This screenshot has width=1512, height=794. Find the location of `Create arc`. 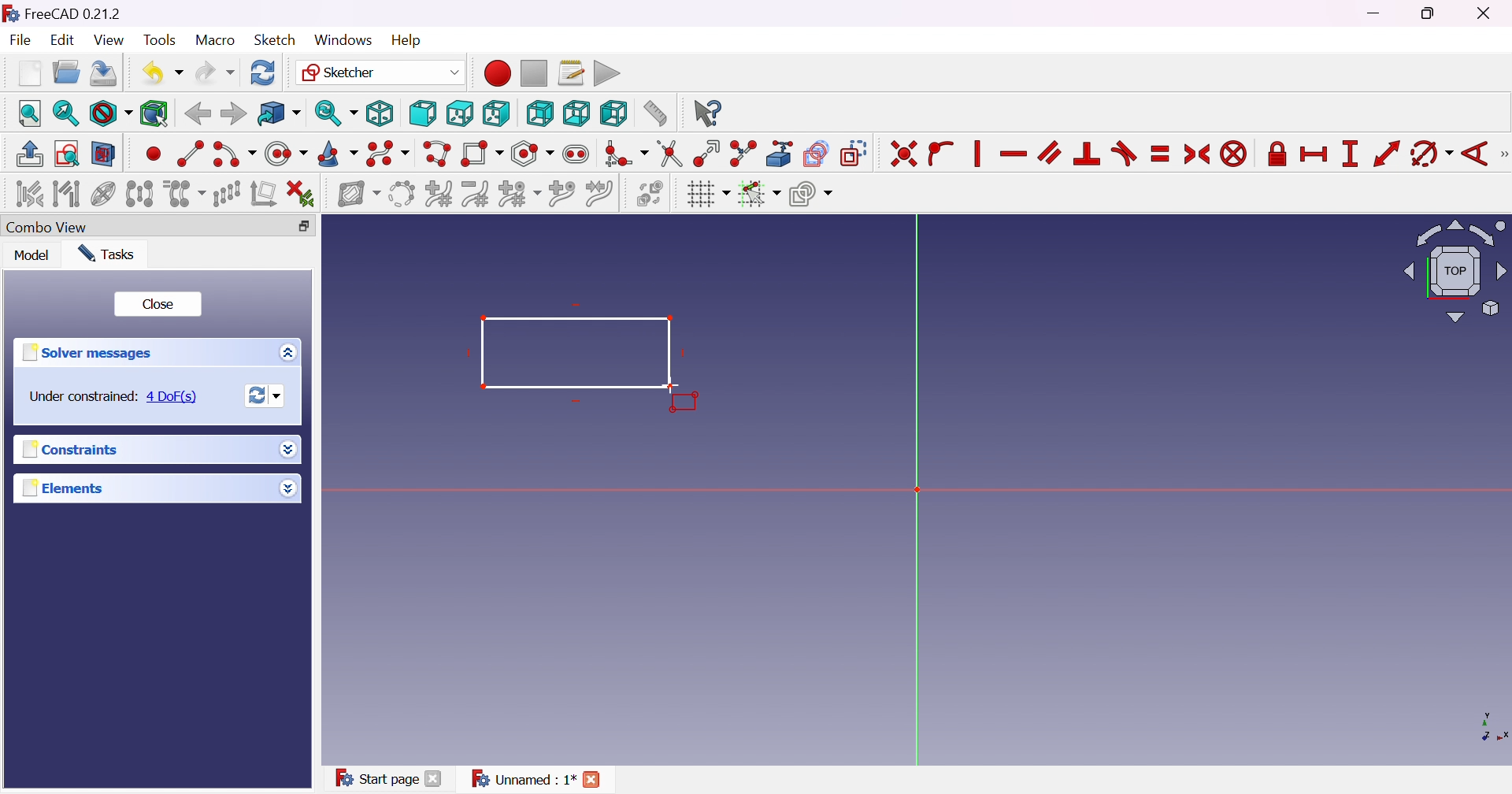

Create arc is located at coordinates (233, 157).